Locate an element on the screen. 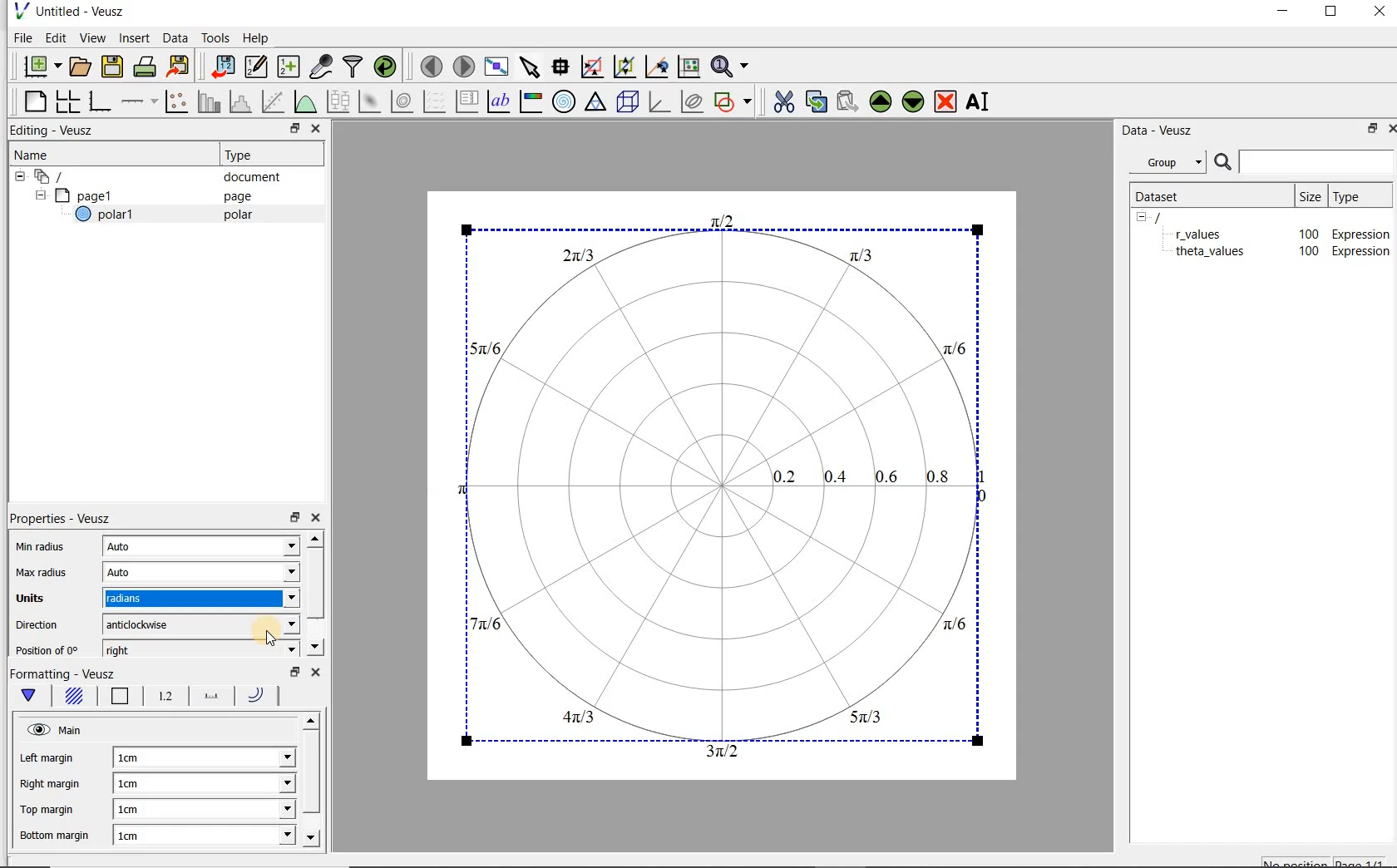 Image resolution: width=1397 pixels, height=868 pixels. copy the selected widget is located at coordinates (817, 101).